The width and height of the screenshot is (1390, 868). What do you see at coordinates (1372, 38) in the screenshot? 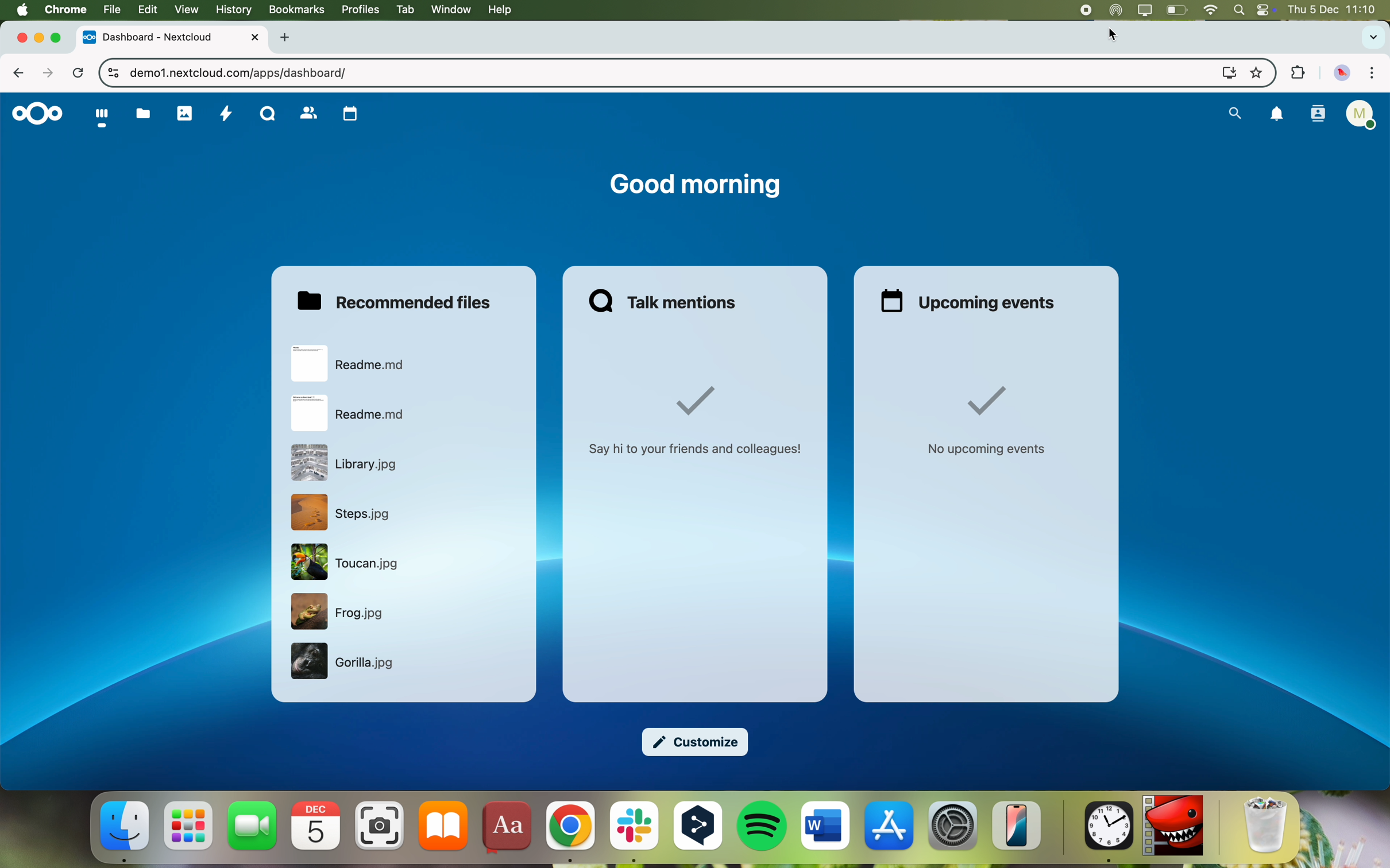
I see `search tabs` at bounding box center [1372, 38].